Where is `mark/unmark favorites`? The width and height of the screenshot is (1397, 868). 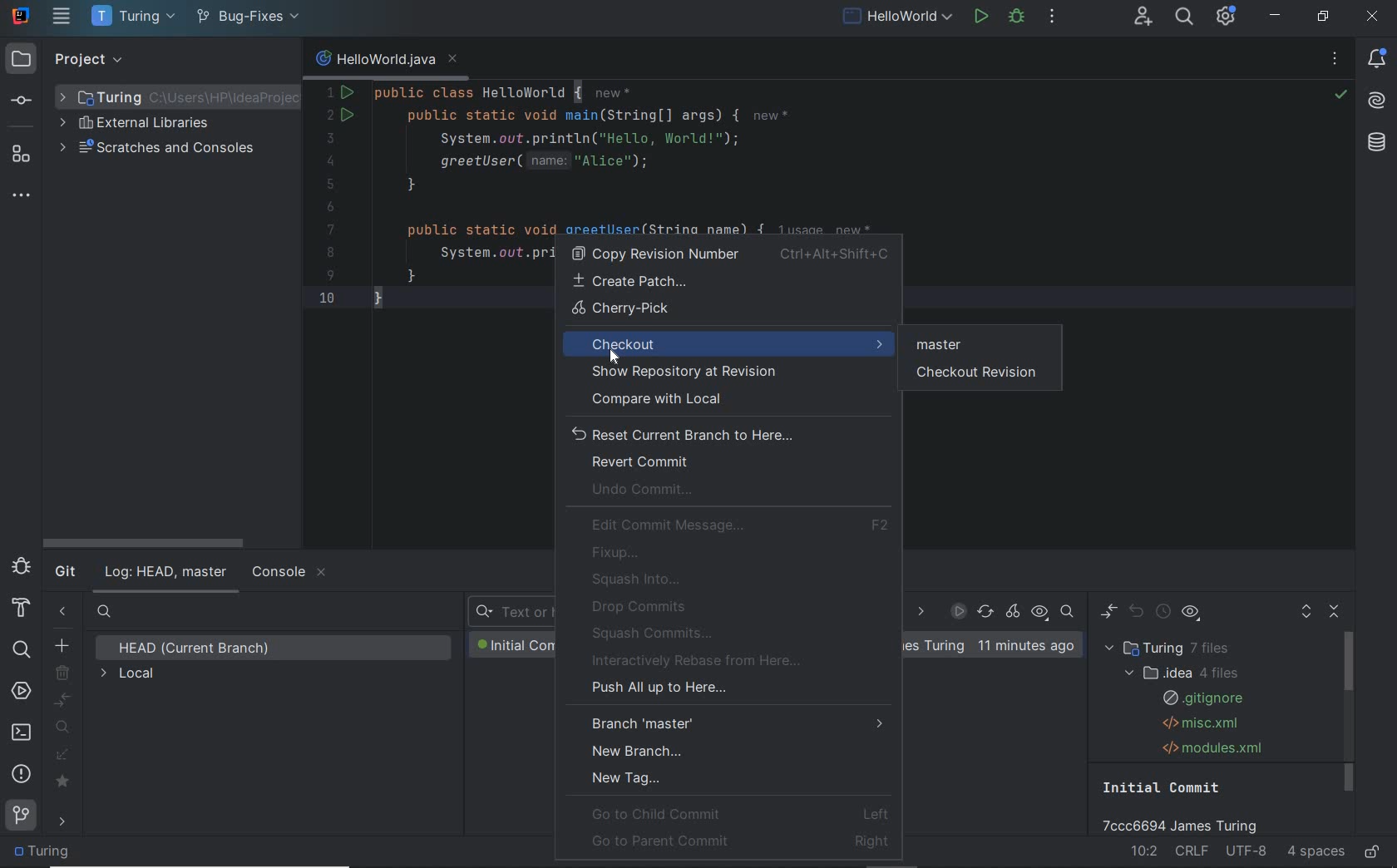 mark/unmark favorites is located at coordinates (66, 782).